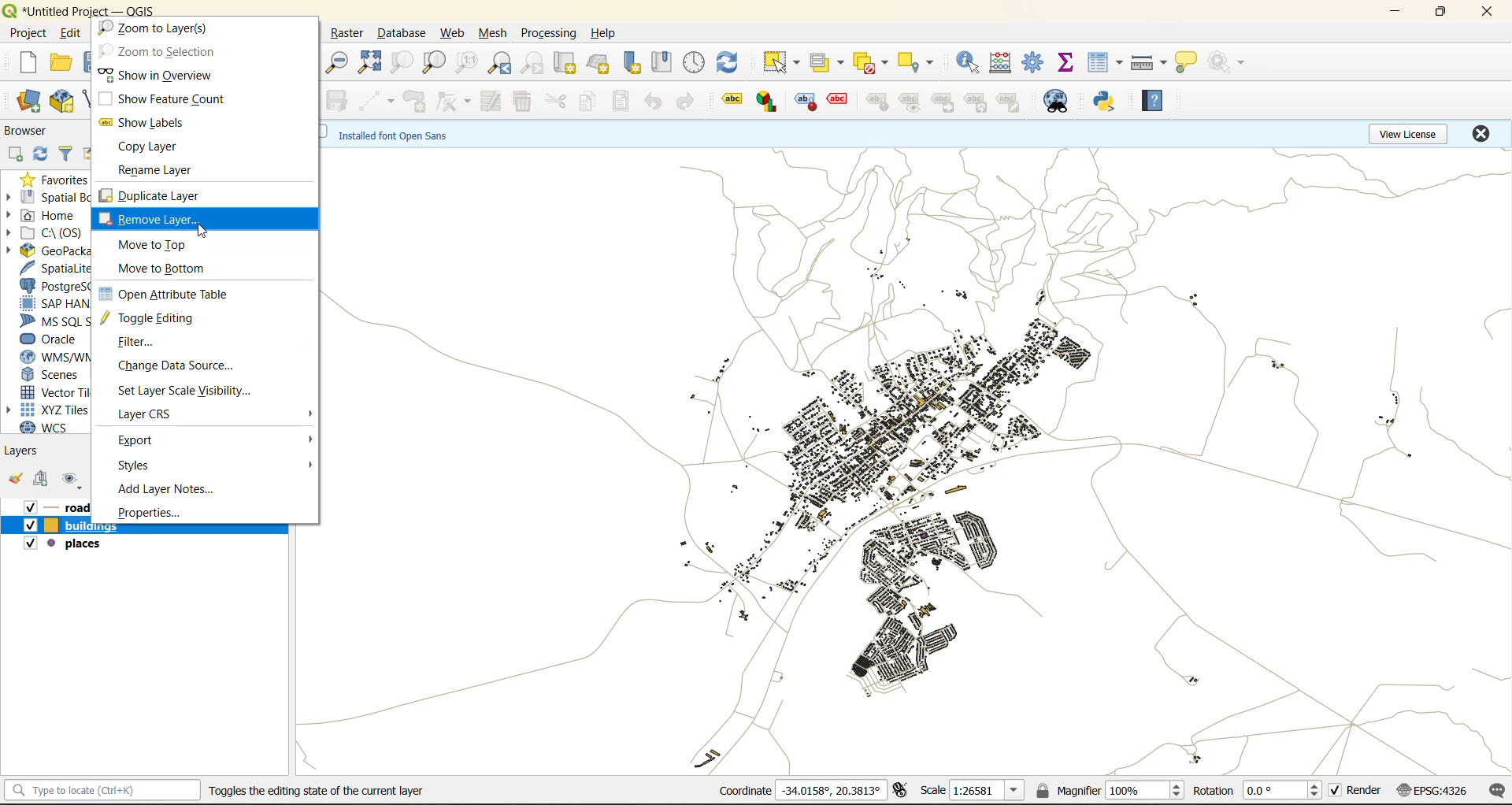 This screenshot has height=805, width=1512. Describe the element at coordinates (372, 63) in the screenshot. I see `zoom full` at that location.